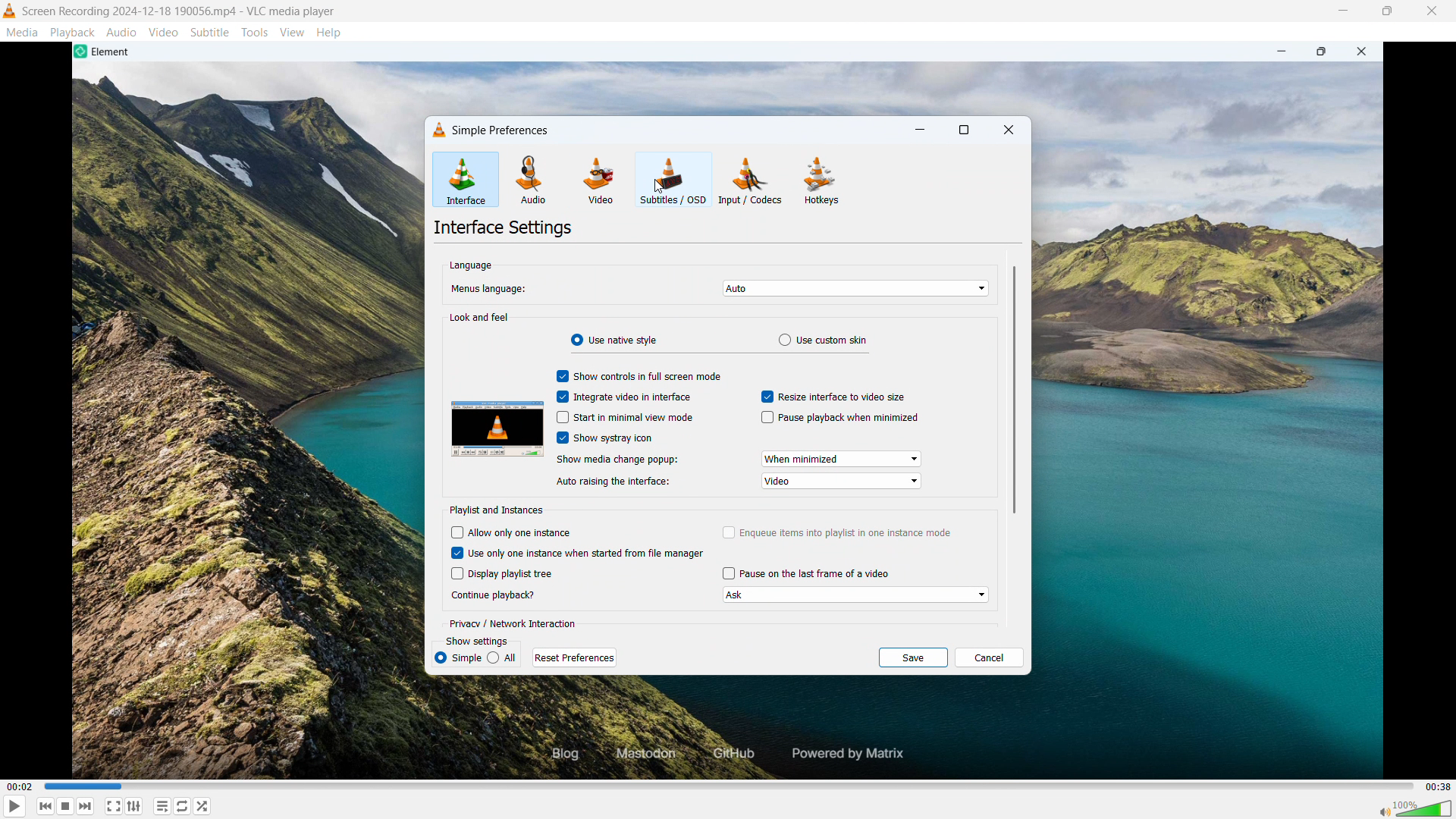 The height and width of the screenshot is (819, 1456). I want to click on checkbox, so click(454, 553).